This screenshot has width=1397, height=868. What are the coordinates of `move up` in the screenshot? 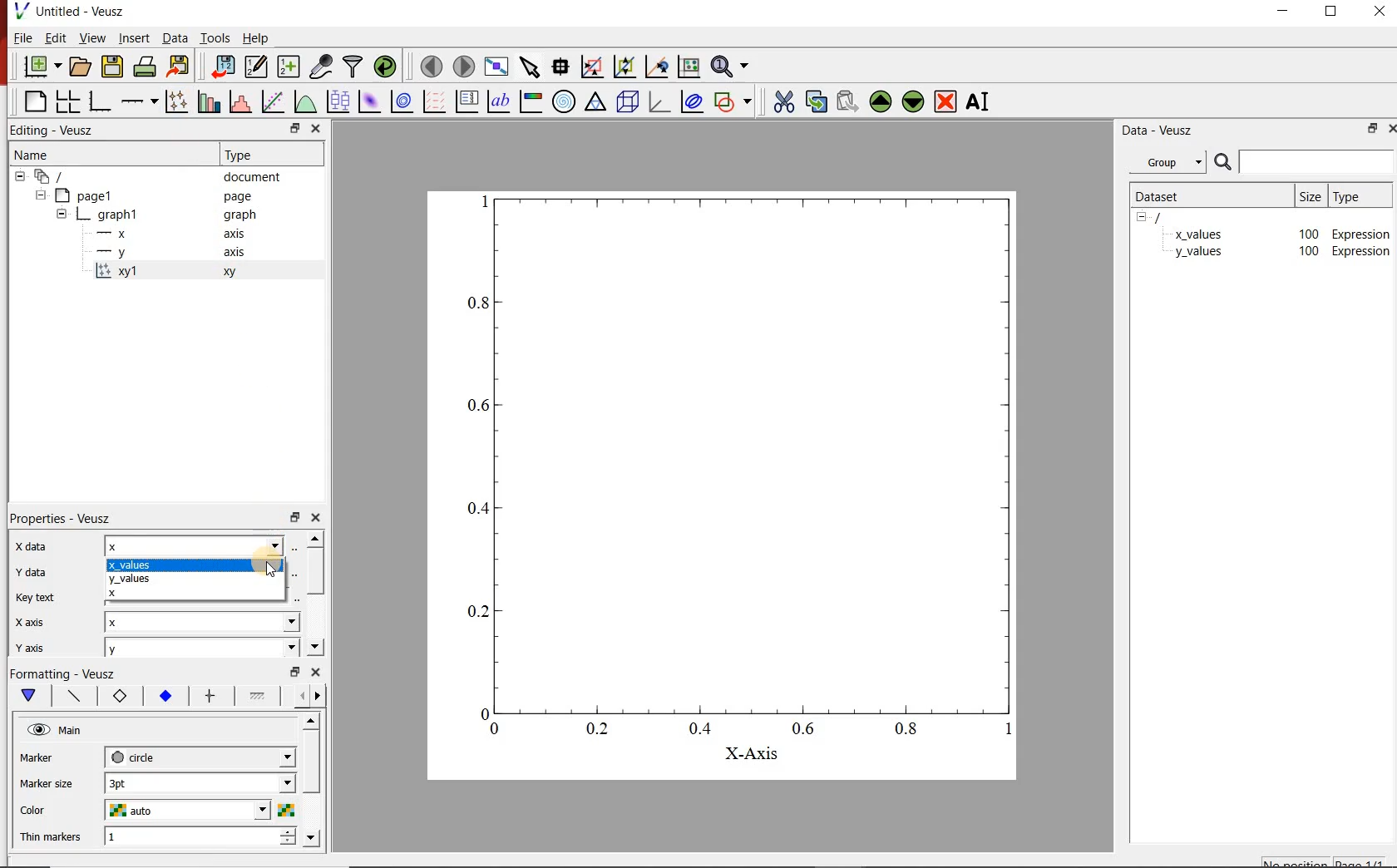 It's located at (315, 539).